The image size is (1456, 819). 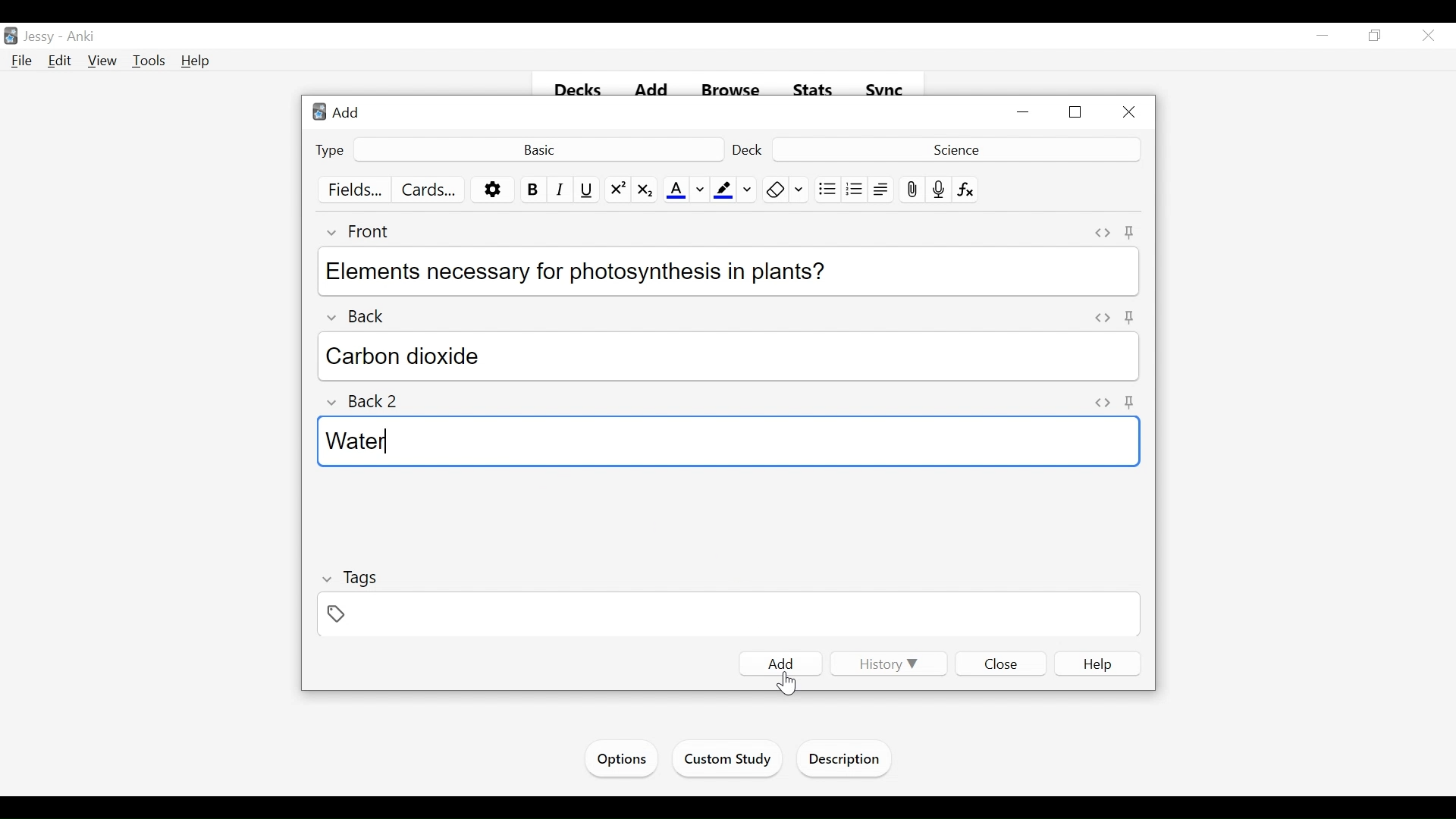 I want to click on Change color, so click(x=700, y=190).